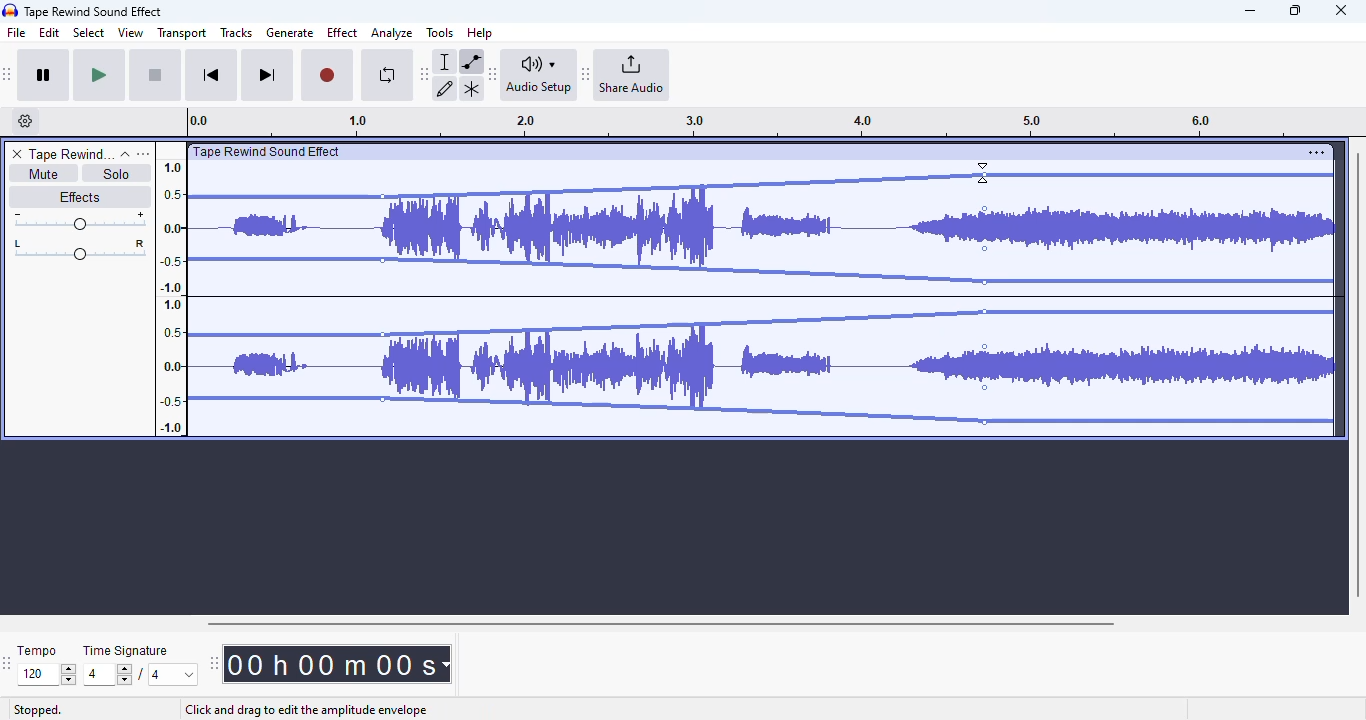 This screenshot has height=720, width=1366. What do you see at coordinates (327, 76) in the screenshot?
I see `record` at bounding box center [327, 76].